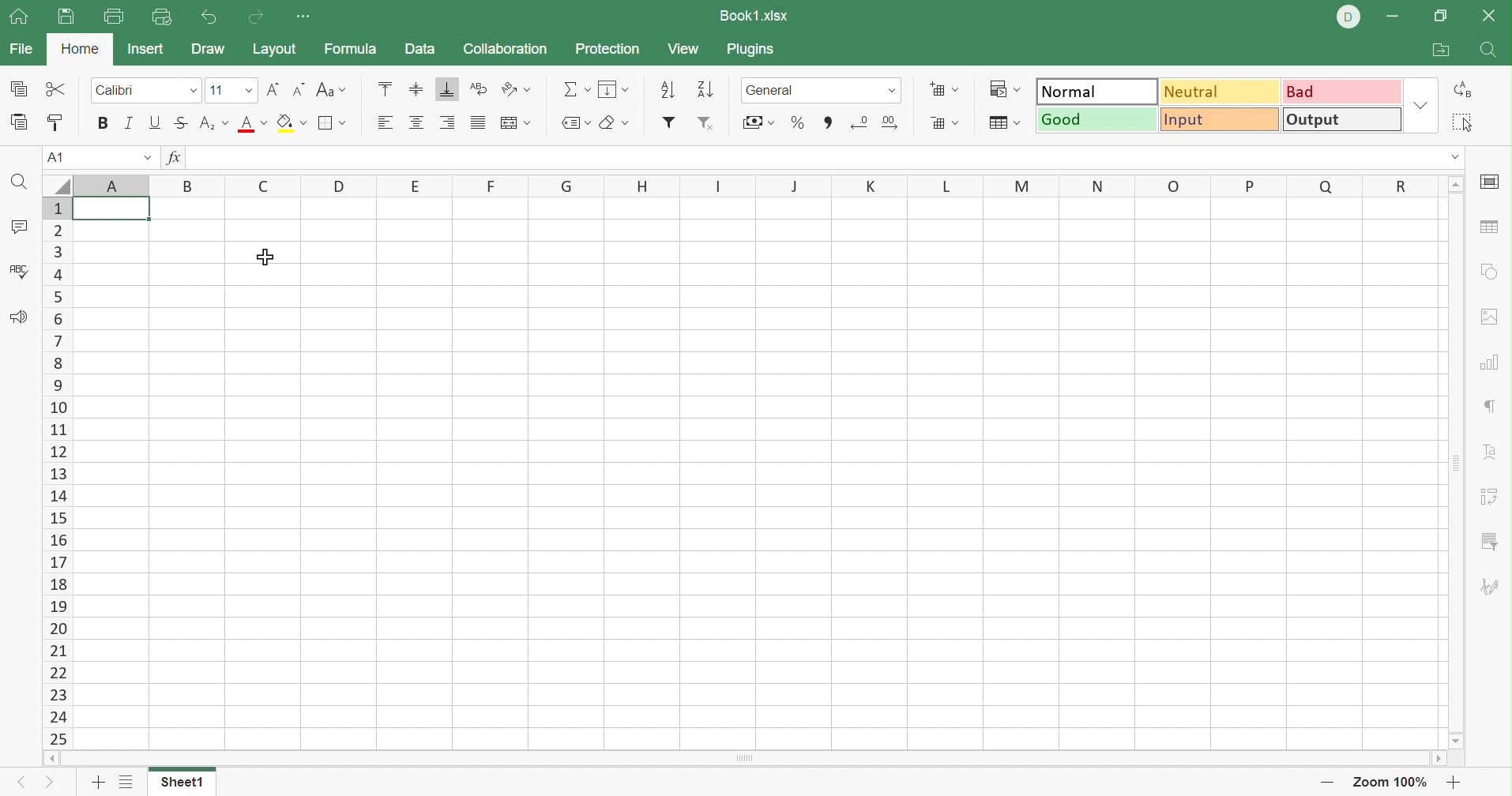 The image size is (1512, 796). I want to click on Output, so click(1341, 118).